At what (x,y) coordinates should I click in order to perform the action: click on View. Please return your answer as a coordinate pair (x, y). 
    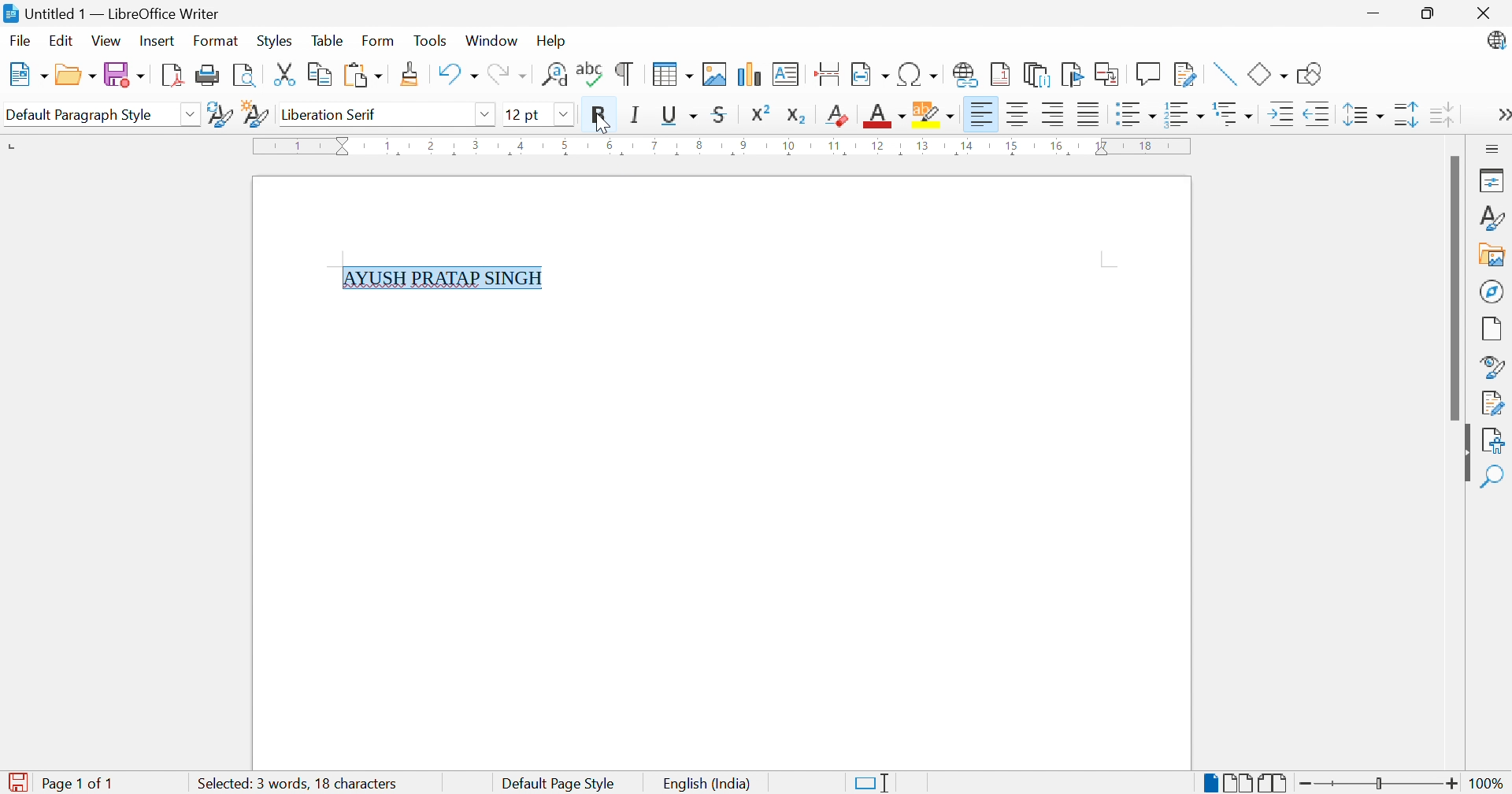
    Looking at the image, I should click on (107, 39).